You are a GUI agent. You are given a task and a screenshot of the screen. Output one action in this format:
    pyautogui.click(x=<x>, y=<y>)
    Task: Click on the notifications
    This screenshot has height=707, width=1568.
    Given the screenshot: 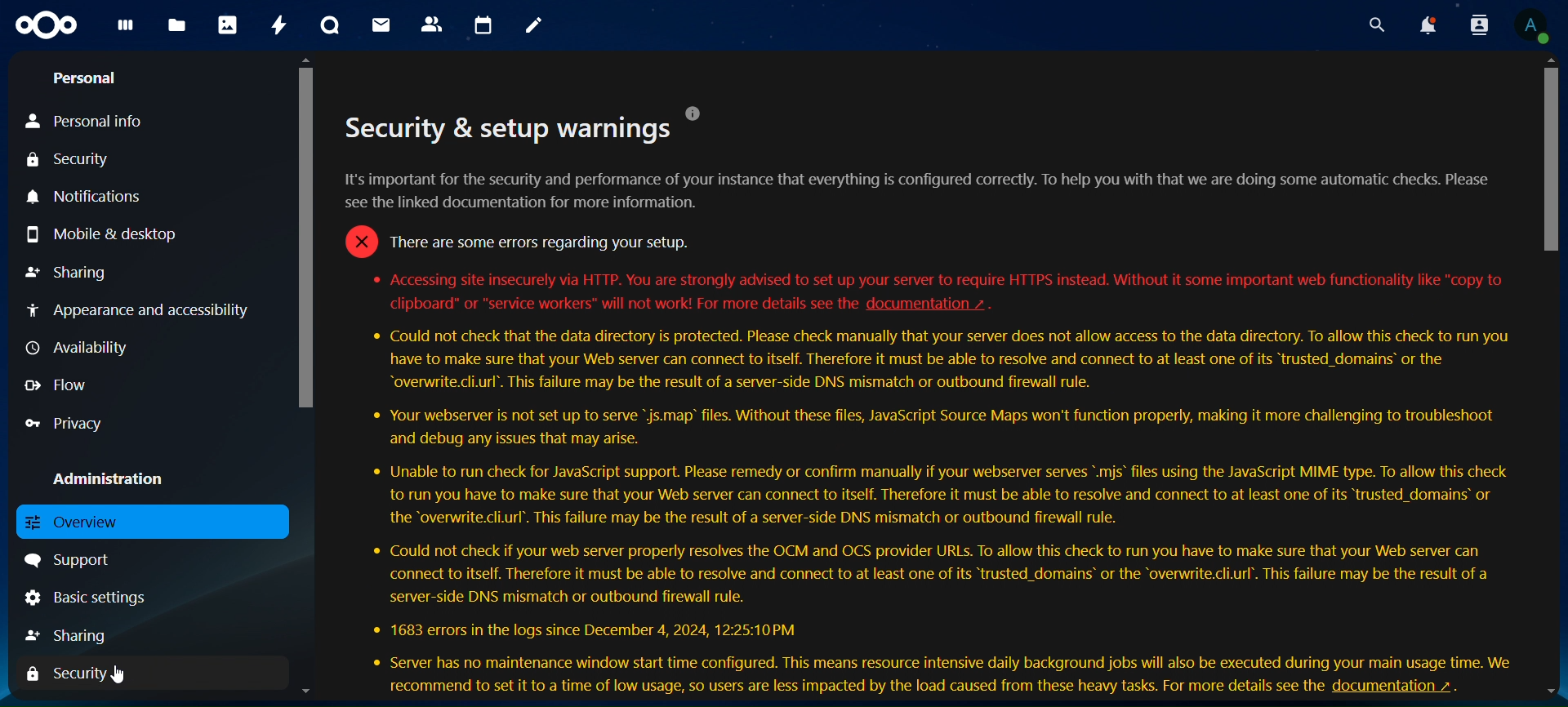 What is the action you would take?
    pyautogui.click(x=87, y=196)
    